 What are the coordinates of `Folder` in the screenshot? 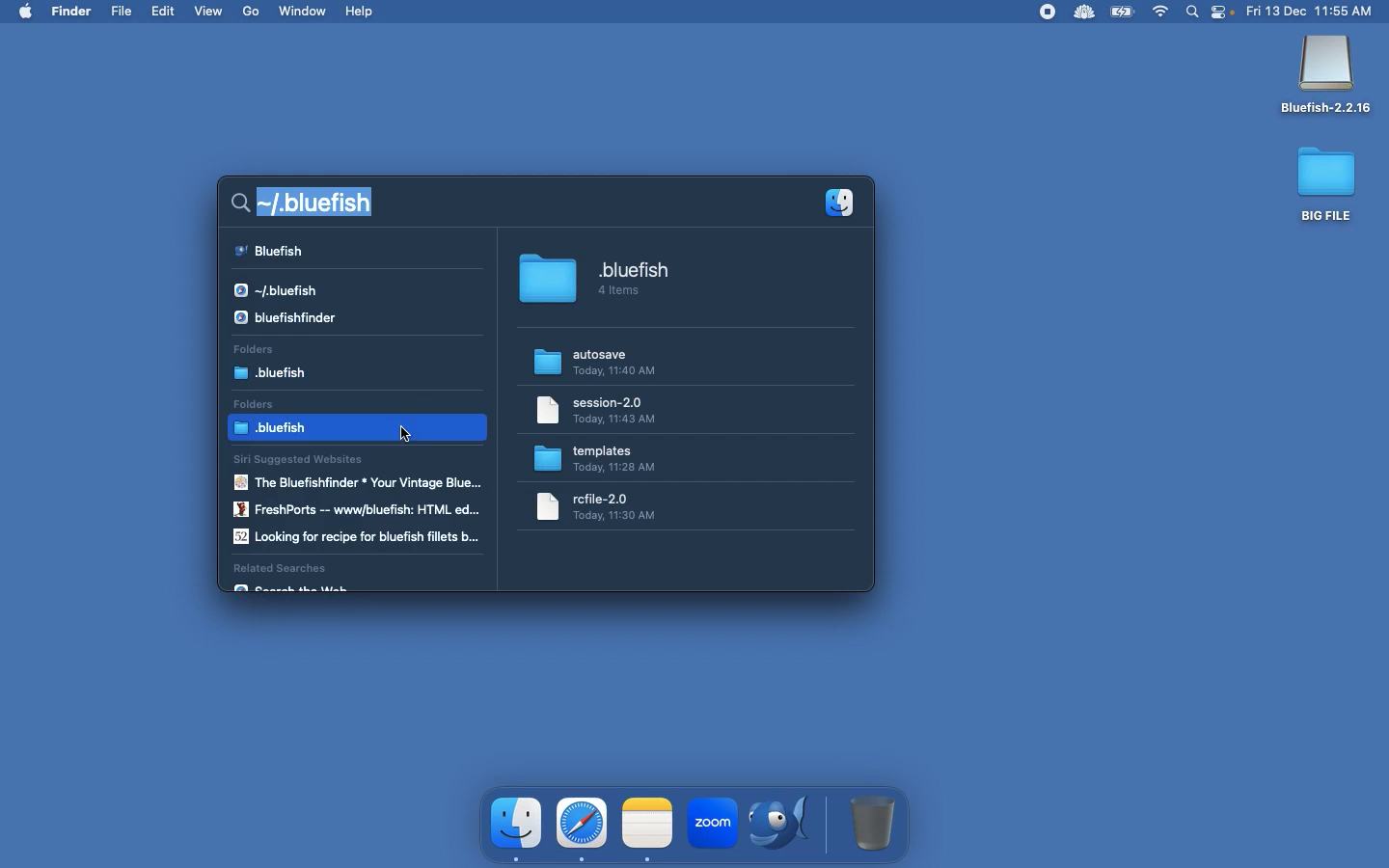 It's located at (601, 414).